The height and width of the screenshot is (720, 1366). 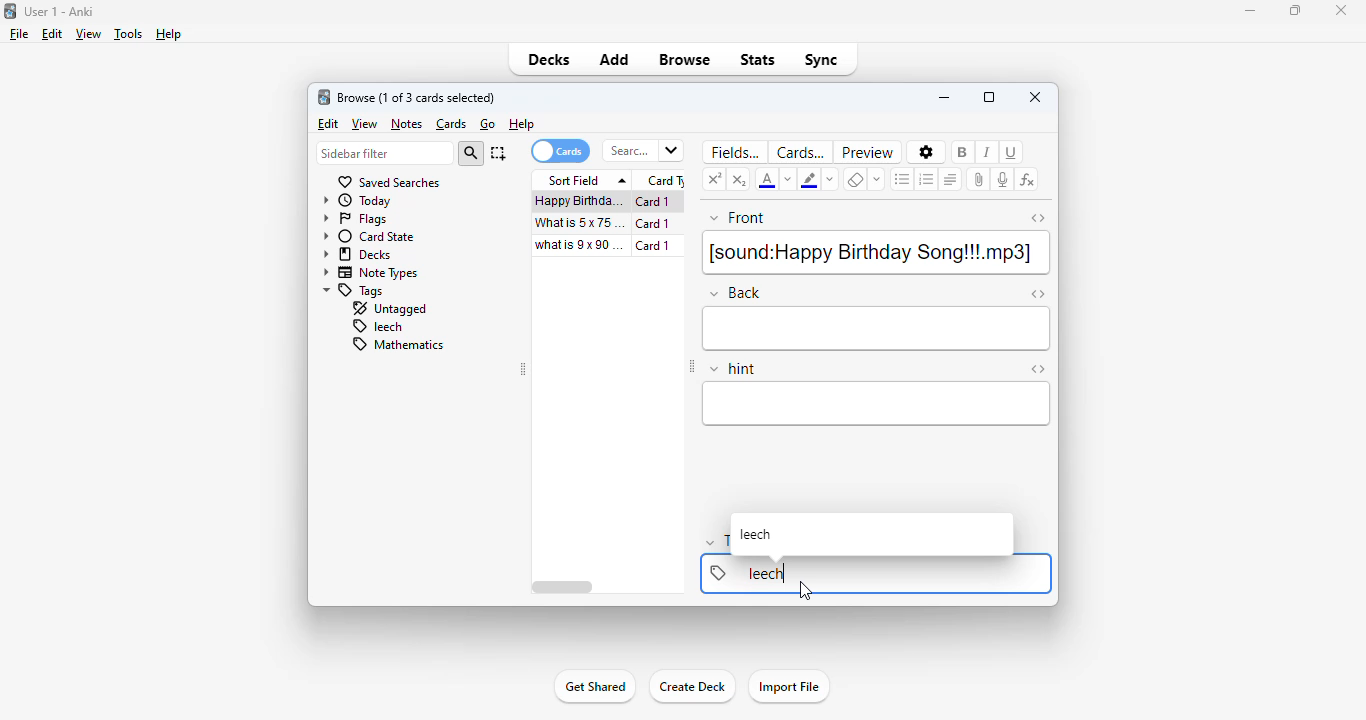 What do you see at coordinates (324, 97) in the screenshot?
I see `logo` at bounding box center [324, 97].